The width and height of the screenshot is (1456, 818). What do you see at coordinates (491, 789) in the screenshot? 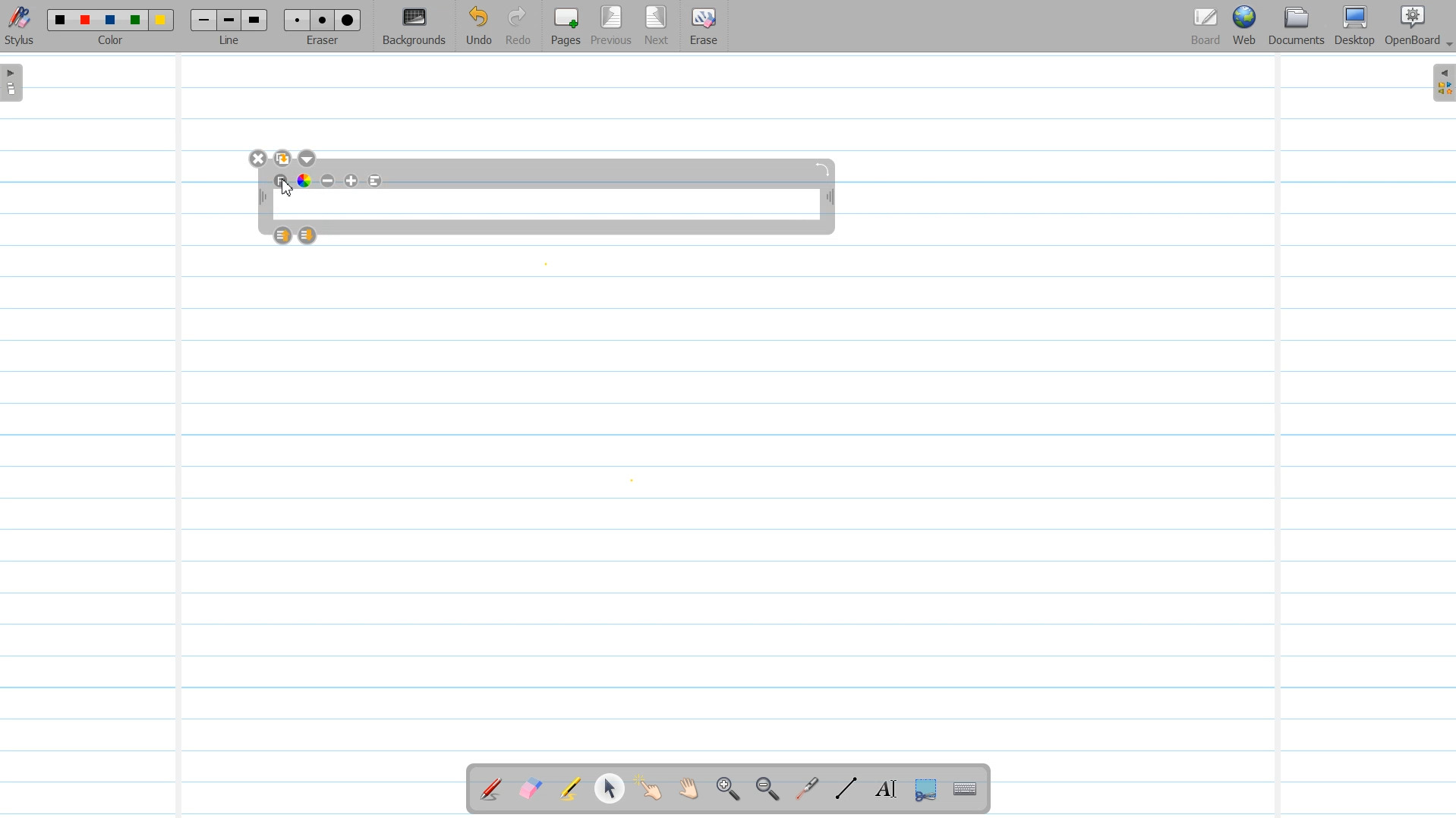
I see `Annotate Document` at bounding box center [491, 789].